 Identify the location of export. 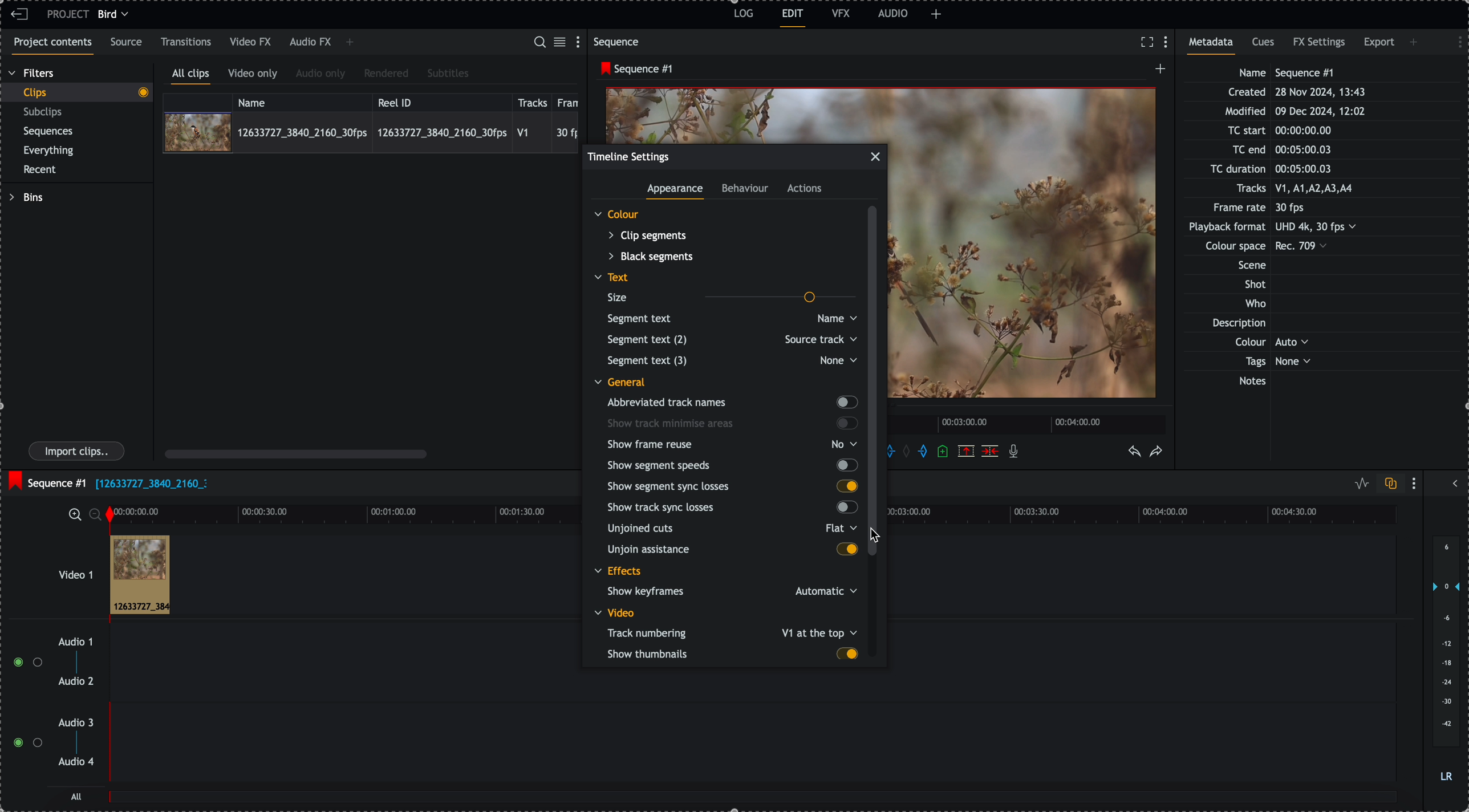
(1379, 44).